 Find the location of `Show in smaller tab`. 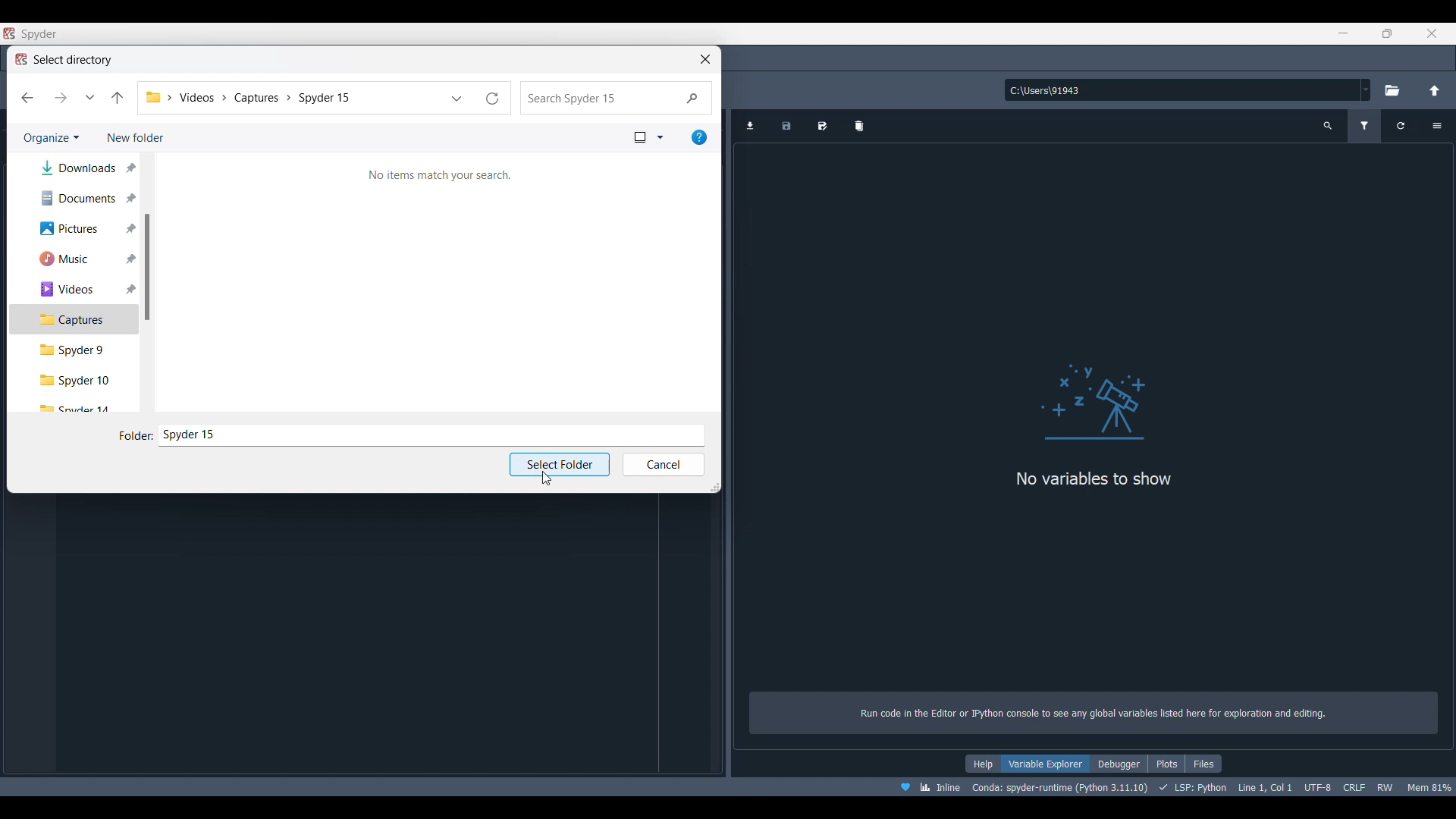

Show in smaller tab is located at coordinates (1388, 33).